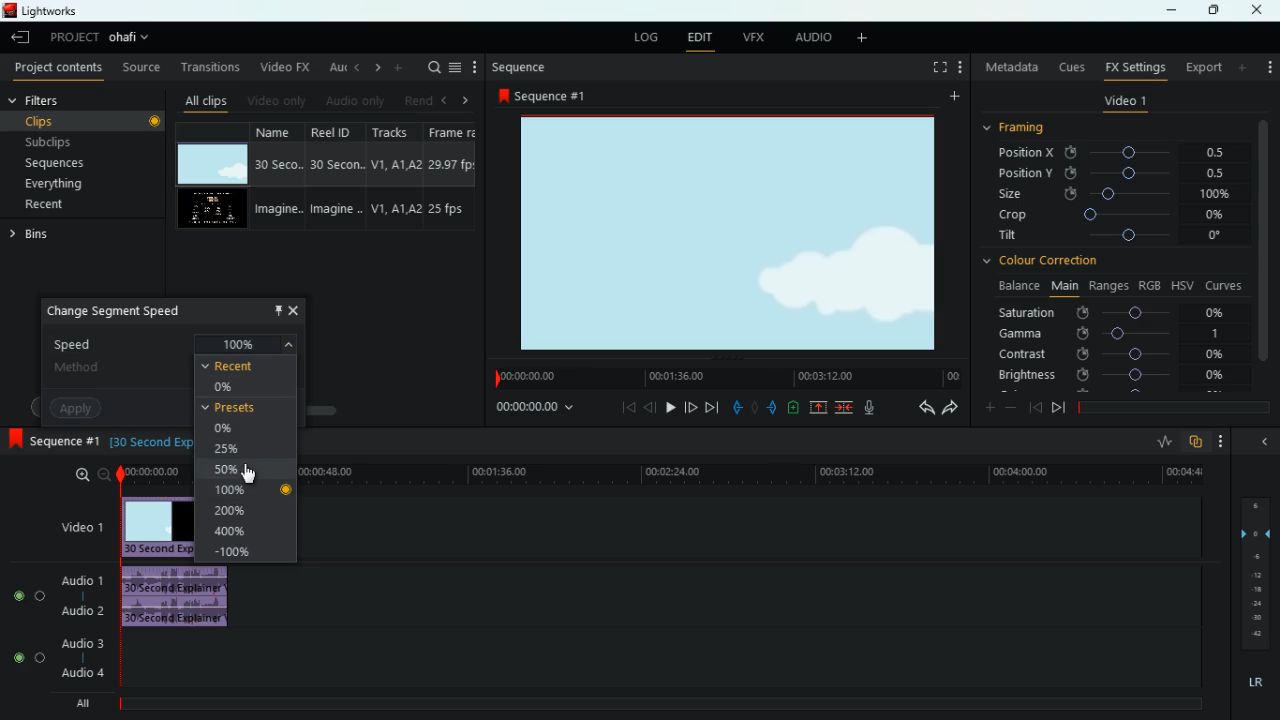 Image resolution: width=1280 pixels, height=720 pixels. What do you see at coordinates (79, 405) in the screenshot?
I see `apply` at bounding box center [79, 405].